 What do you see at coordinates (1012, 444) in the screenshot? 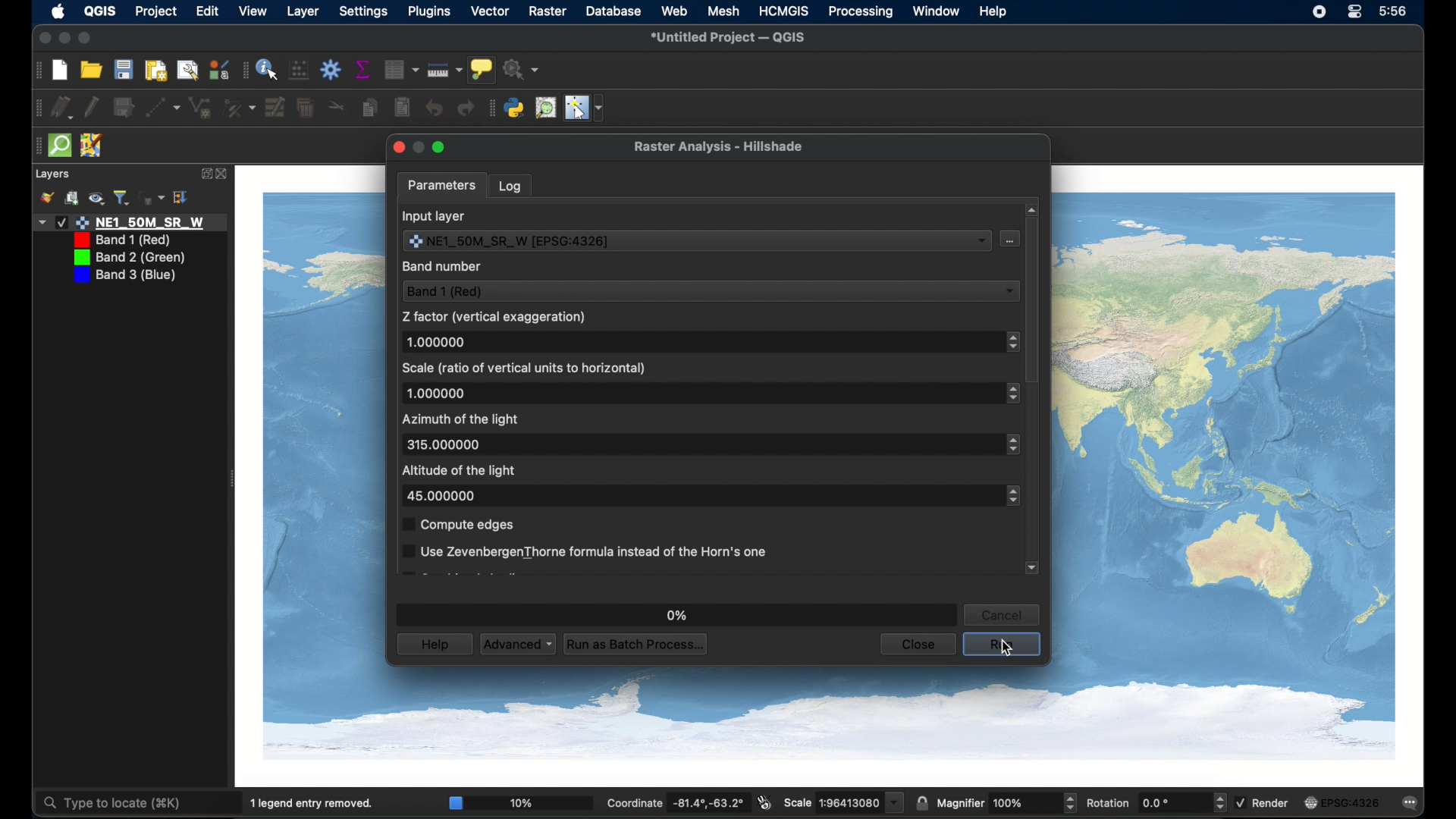
I see `stepper buttons` at bounding box center [1012, 444].